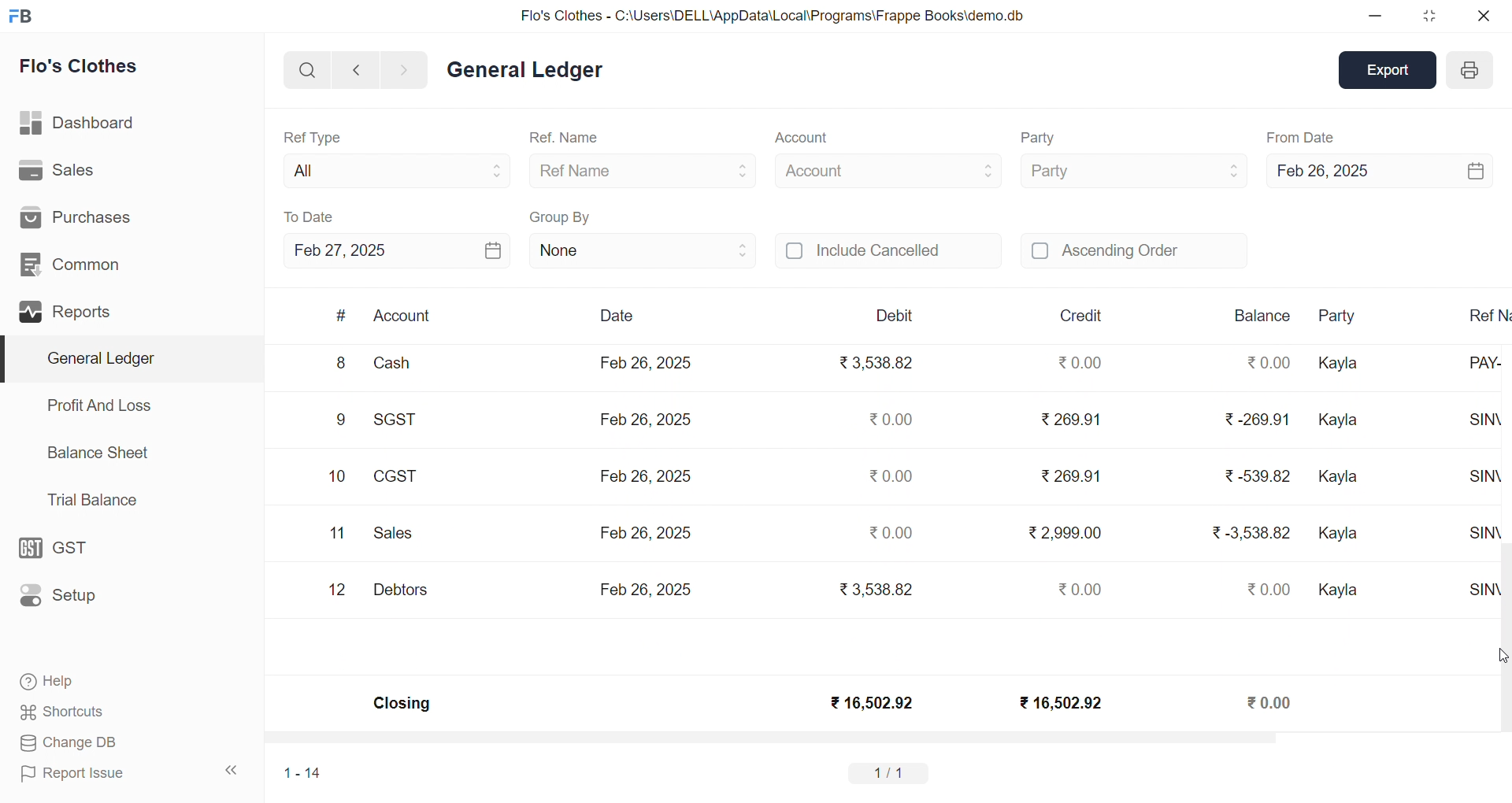  What do you see at coordinates (1068, 532) in the screenshot?
I see `₹ 2,999.00` at bounding box center [1068, 532].